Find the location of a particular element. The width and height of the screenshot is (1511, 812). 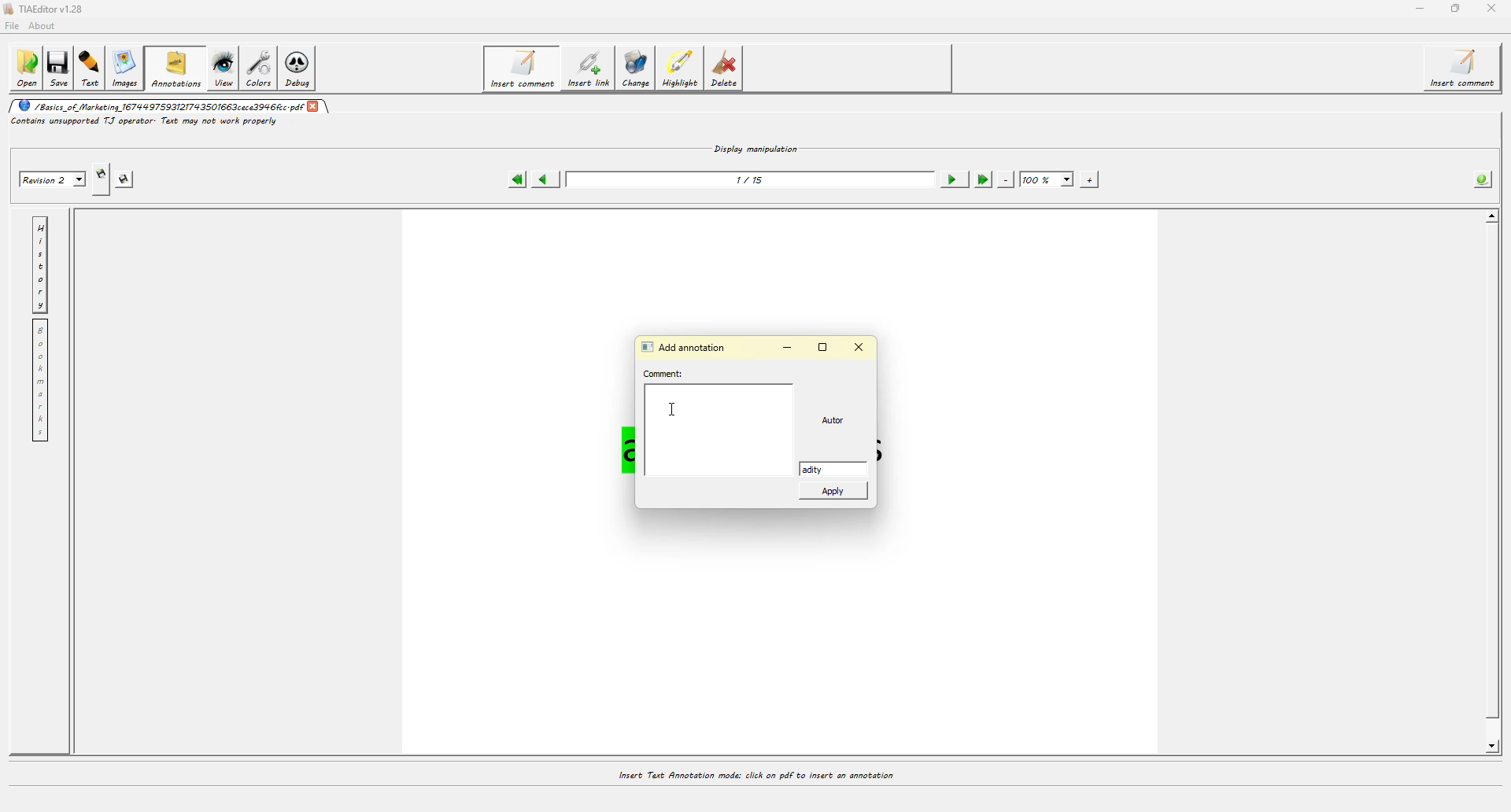

Autor is located at coordinates (838, 421).